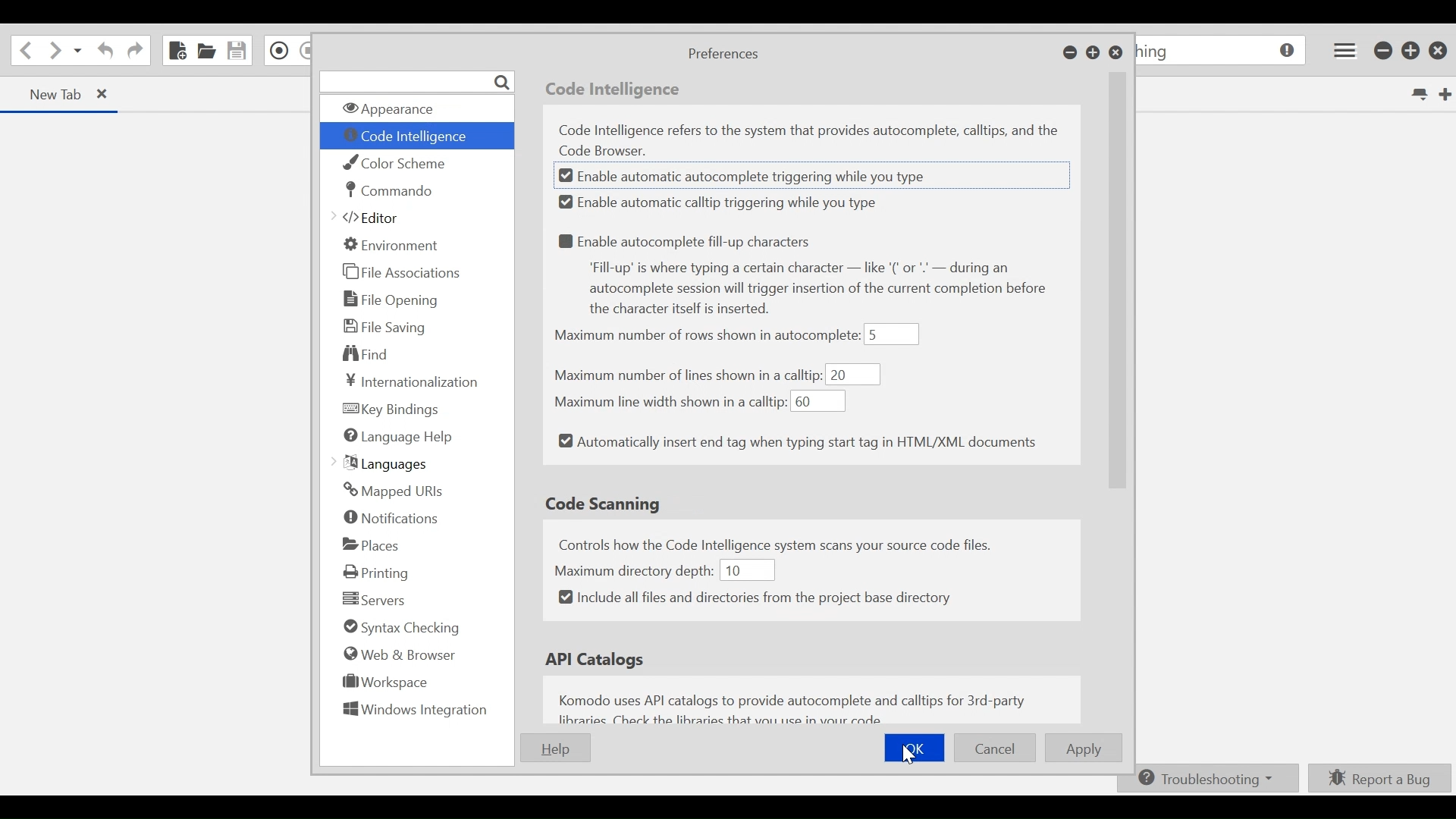 This screenshot has width=1456, height=819. What do you see at coordinates (398, 654) in the screenshot?
I see `Web & Browser` at bounding box center [398, 654].